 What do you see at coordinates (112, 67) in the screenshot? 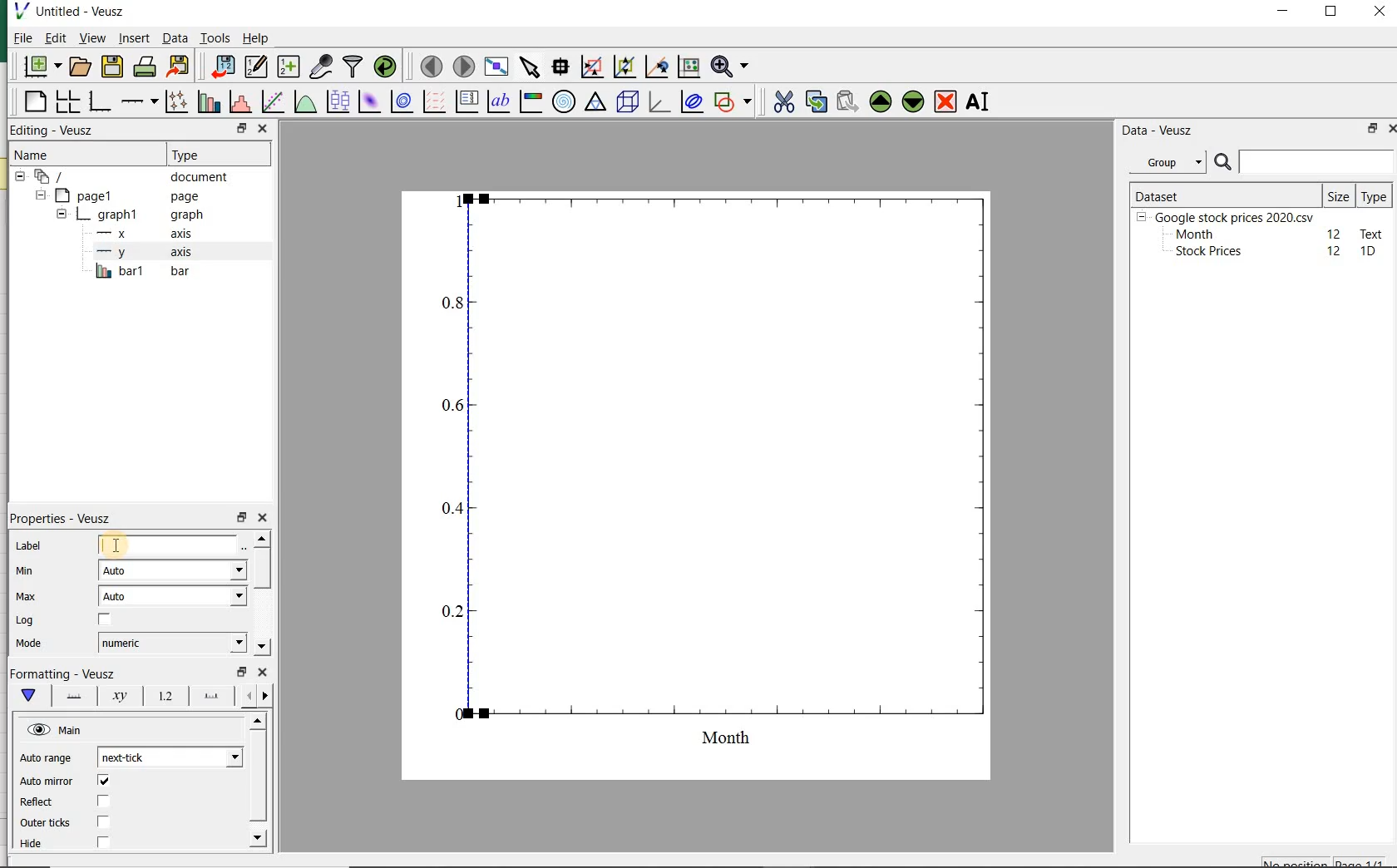
I see `save the document` at bounding box center [112, 67].